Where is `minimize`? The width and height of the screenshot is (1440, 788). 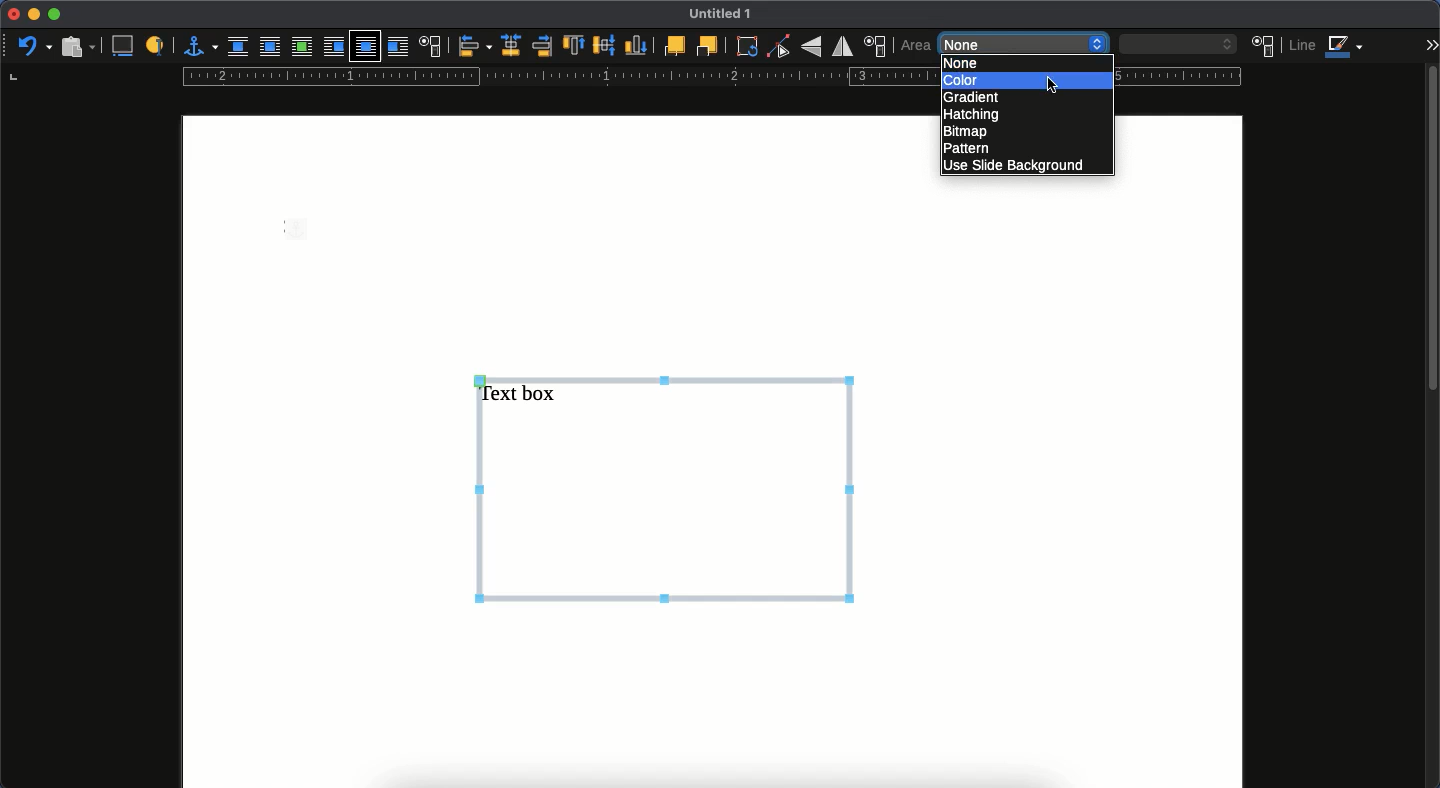
minimize is located at coordinates (33, 15).